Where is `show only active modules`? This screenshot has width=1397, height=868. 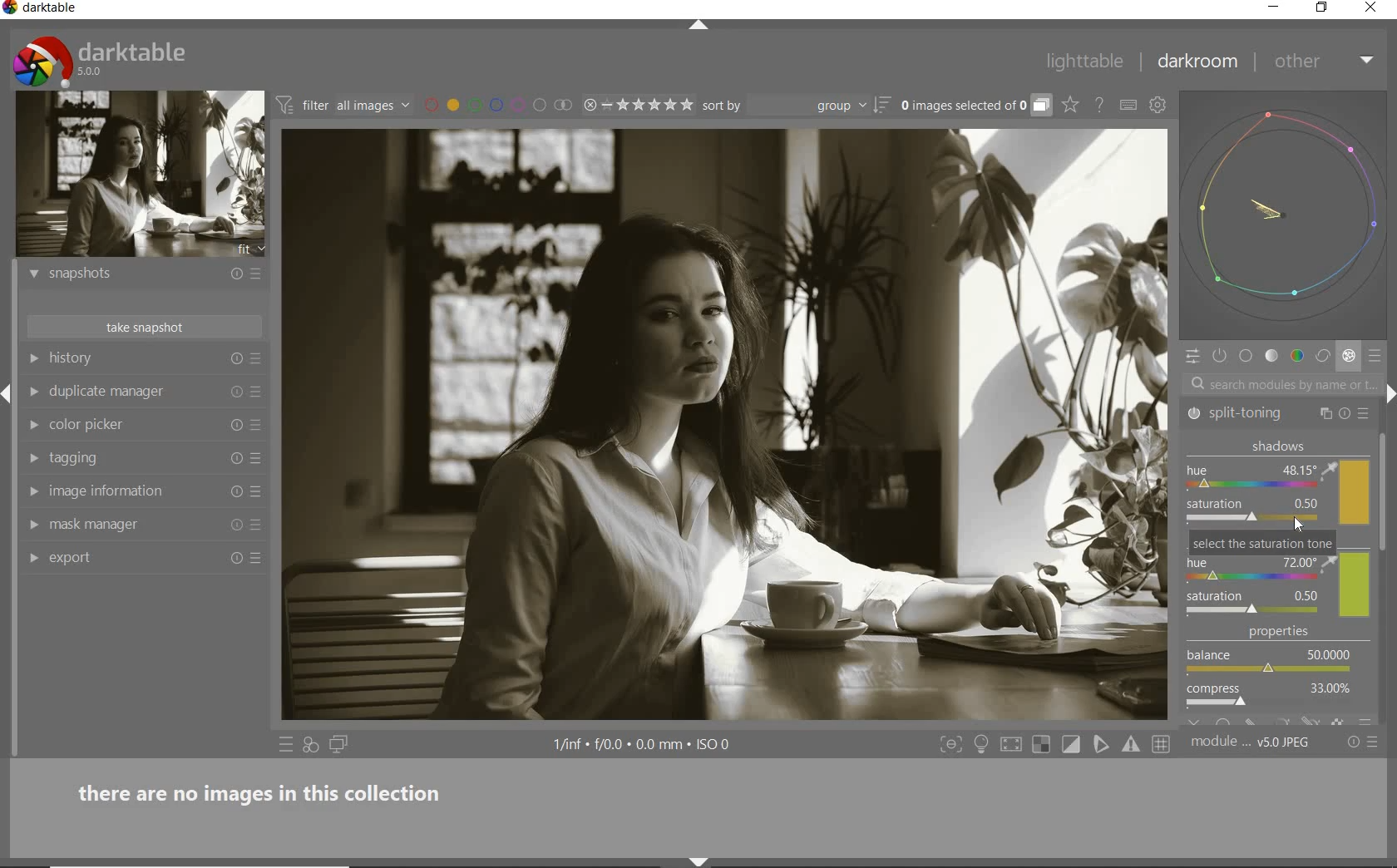
show only active modules is located at coordinates (1221, 357).